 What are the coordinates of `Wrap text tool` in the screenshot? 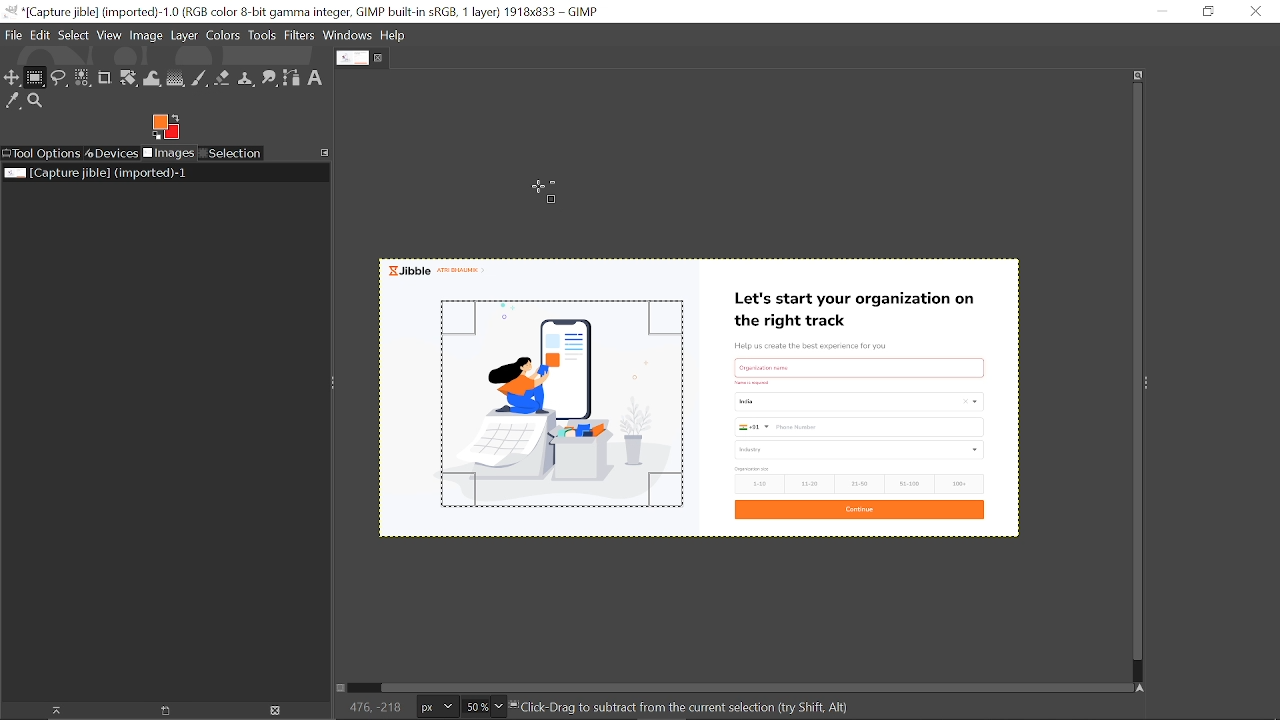 It's located at (153, 79).